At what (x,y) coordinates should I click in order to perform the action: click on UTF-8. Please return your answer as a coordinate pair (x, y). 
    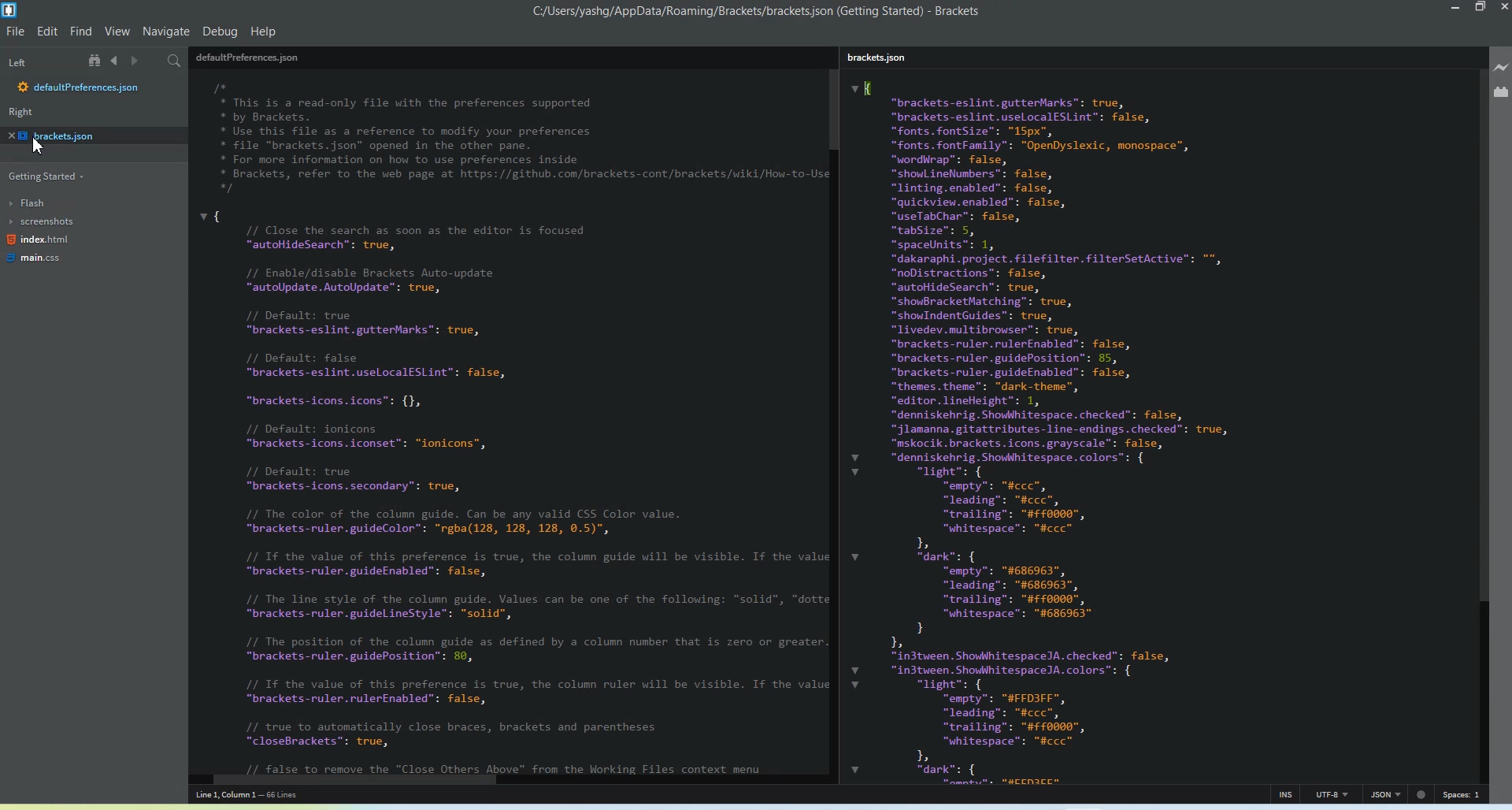
    Looking at the image, I should click on (1334, 794).